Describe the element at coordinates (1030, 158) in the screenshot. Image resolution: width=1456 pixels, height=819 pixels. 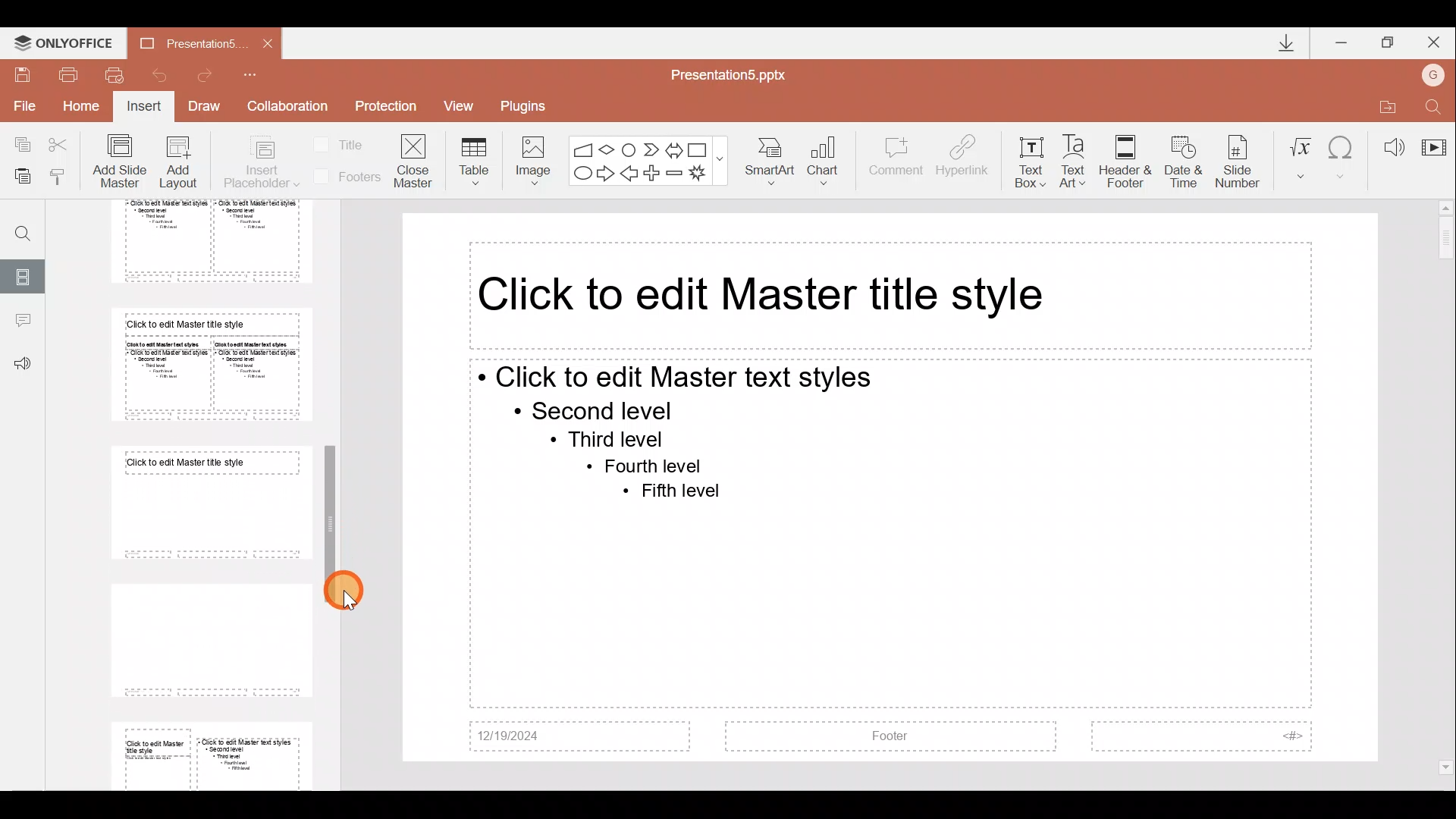
I see `Text box` at that location.